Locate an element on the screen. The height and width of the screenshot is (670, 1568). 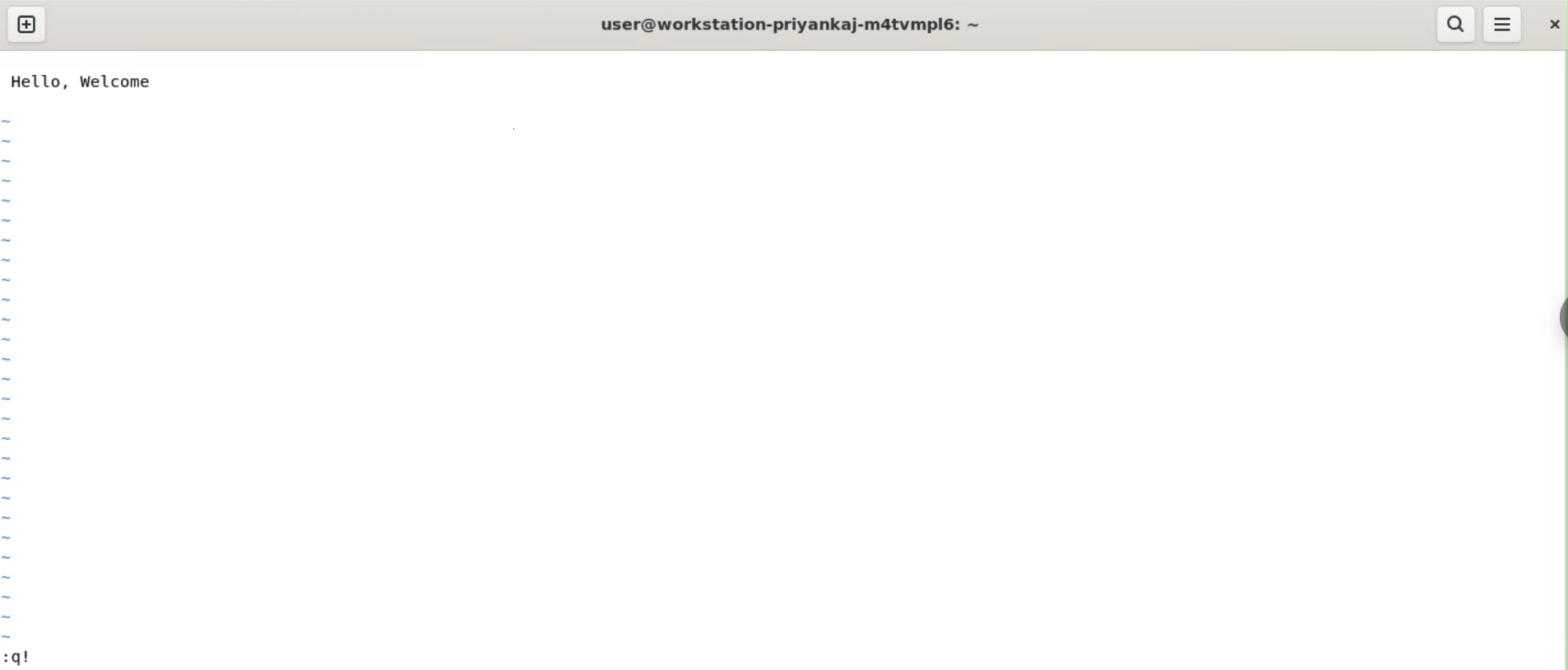
user@workstation-priyankaj-m4tvmpl6: ~ is located at coordinates (789, 26).